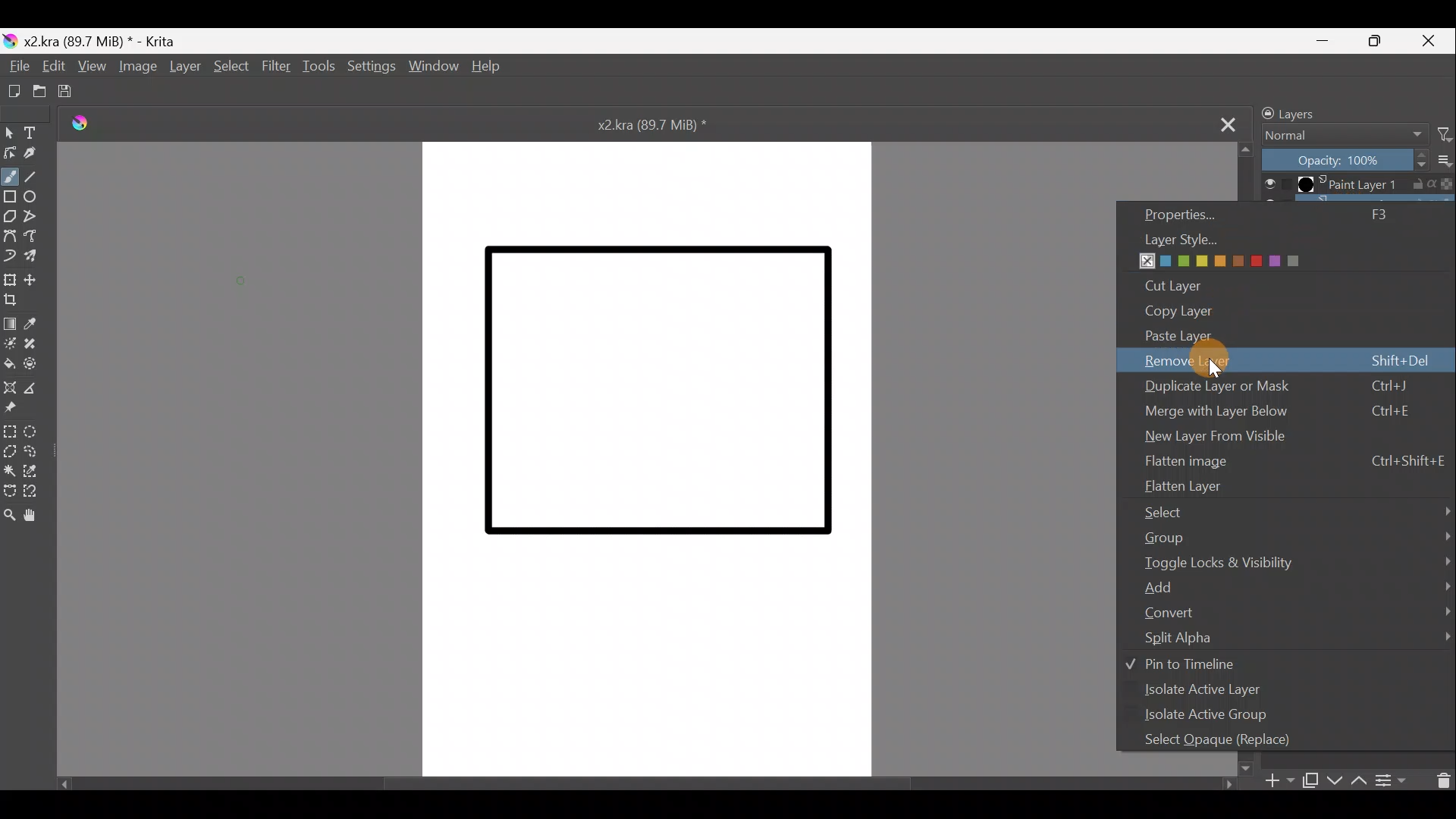 The image size is (1456, 819). Describe the element at coordinates (102, 40) in the screenshot. I see `x2.kra (89.7 MiB) *` at that location.